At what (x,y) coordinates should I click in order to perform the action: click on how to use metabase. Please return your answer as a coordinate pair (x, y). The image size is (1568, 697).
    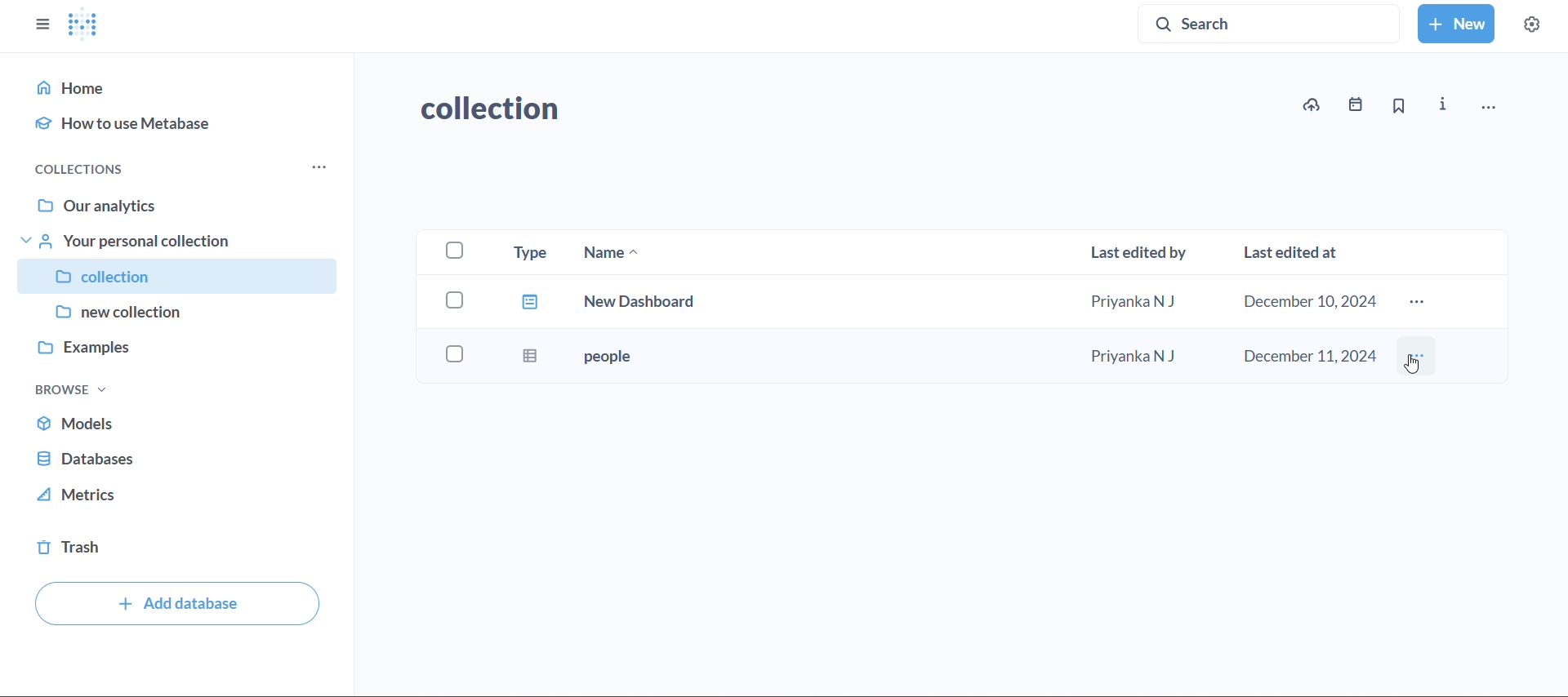
    Looking at the image, I should click on (178, 122).